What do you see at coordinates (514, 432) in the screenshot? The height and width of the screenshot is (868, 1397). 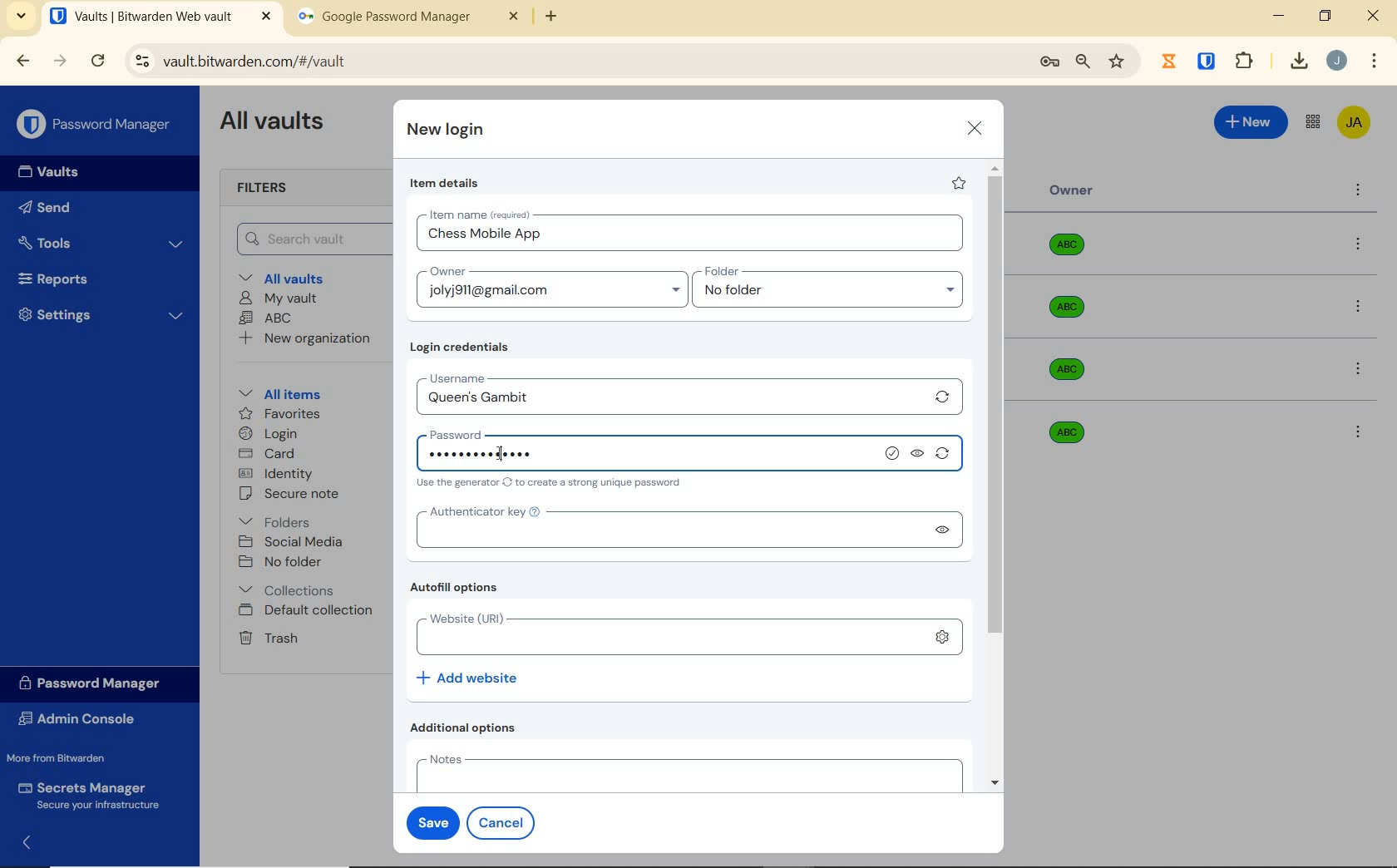 I see `password` at bounding box center [514, 432].